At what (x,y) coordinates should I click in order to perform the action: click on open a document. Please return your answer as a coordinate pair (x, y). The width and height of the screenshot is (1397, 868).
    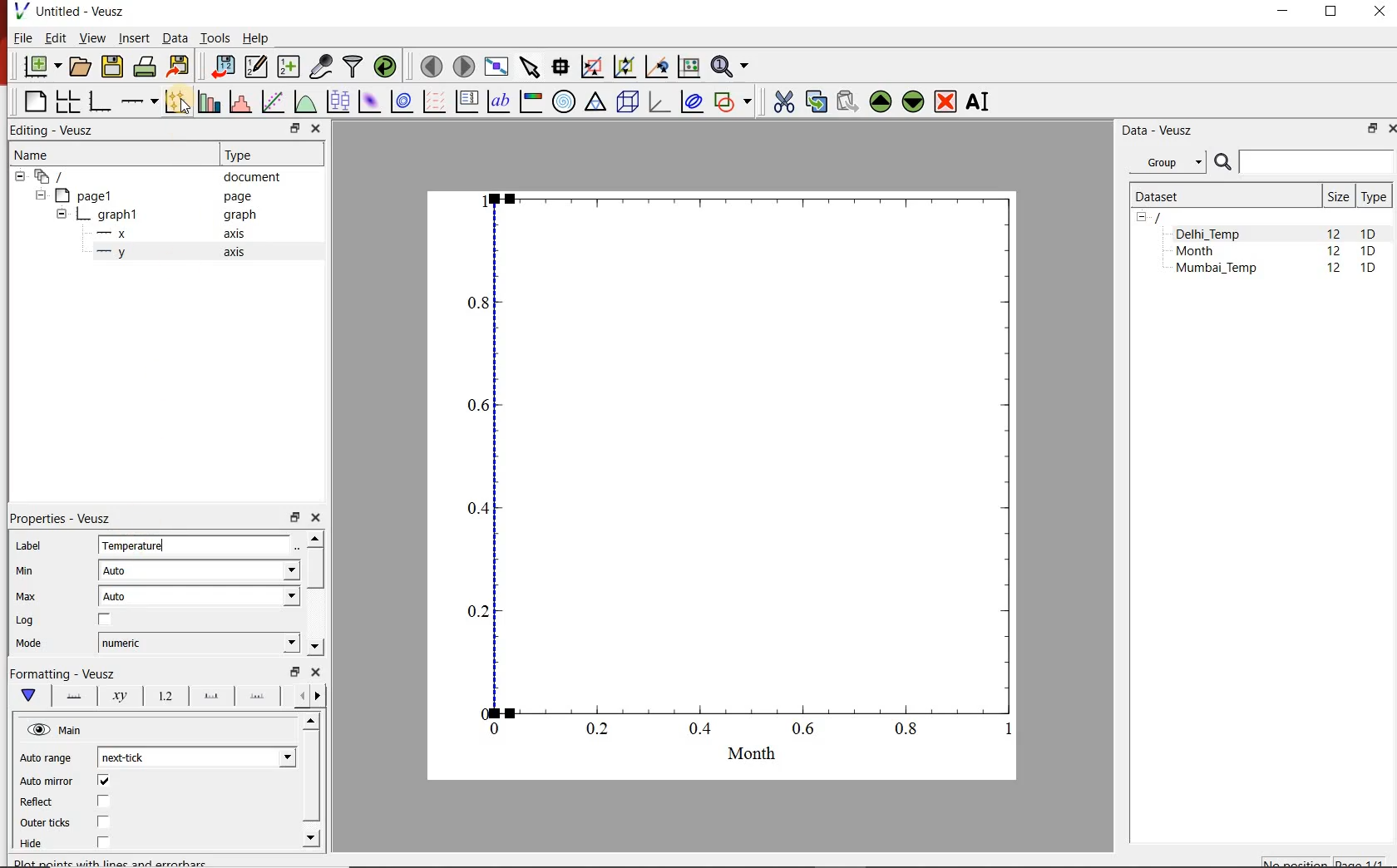
    Looking at the image, I should click on (79, 67).